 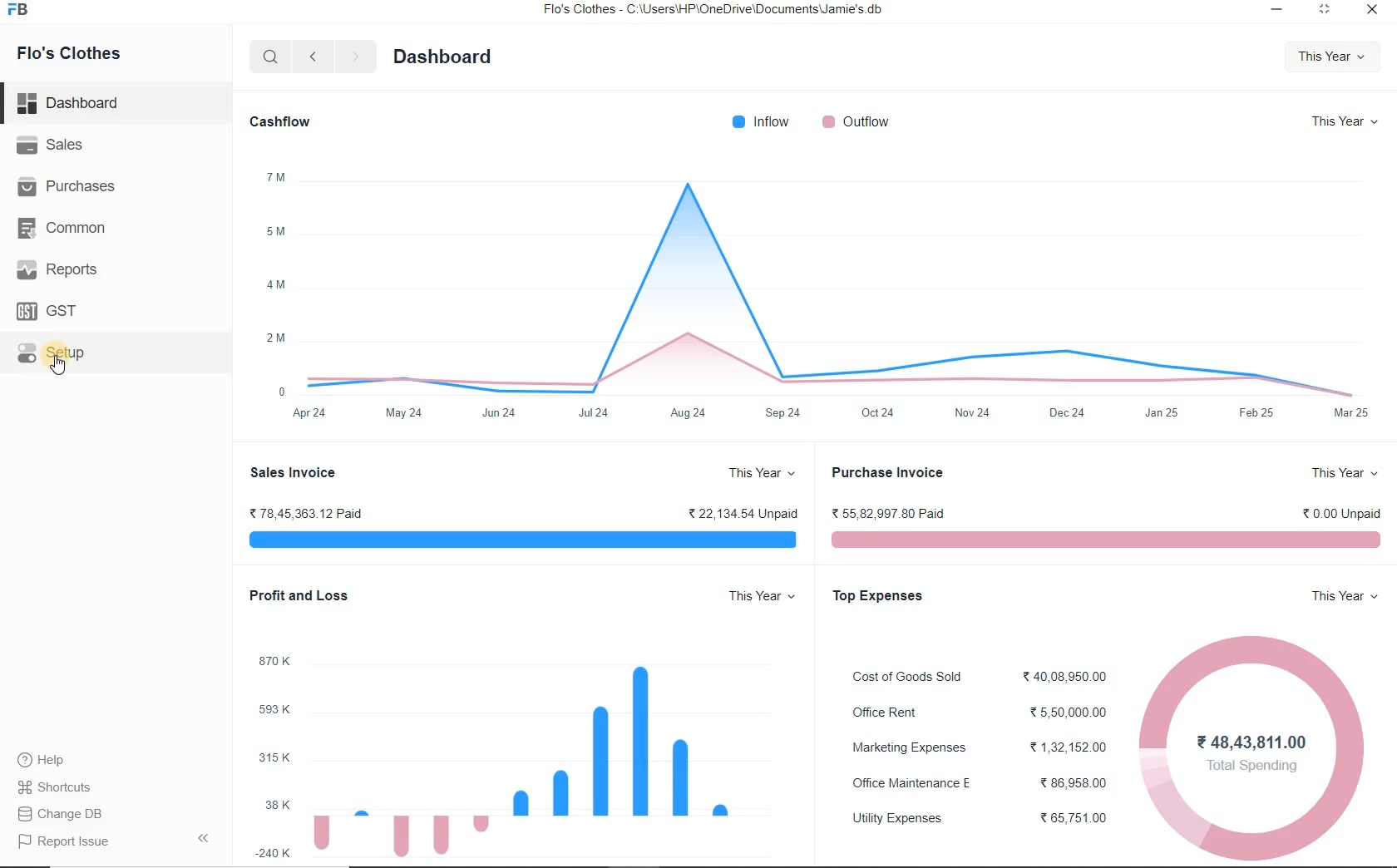 What do you see at coordinates (880, 595) in the screenshot?
I see `Top Expenses` at bounding box center [880, 595].